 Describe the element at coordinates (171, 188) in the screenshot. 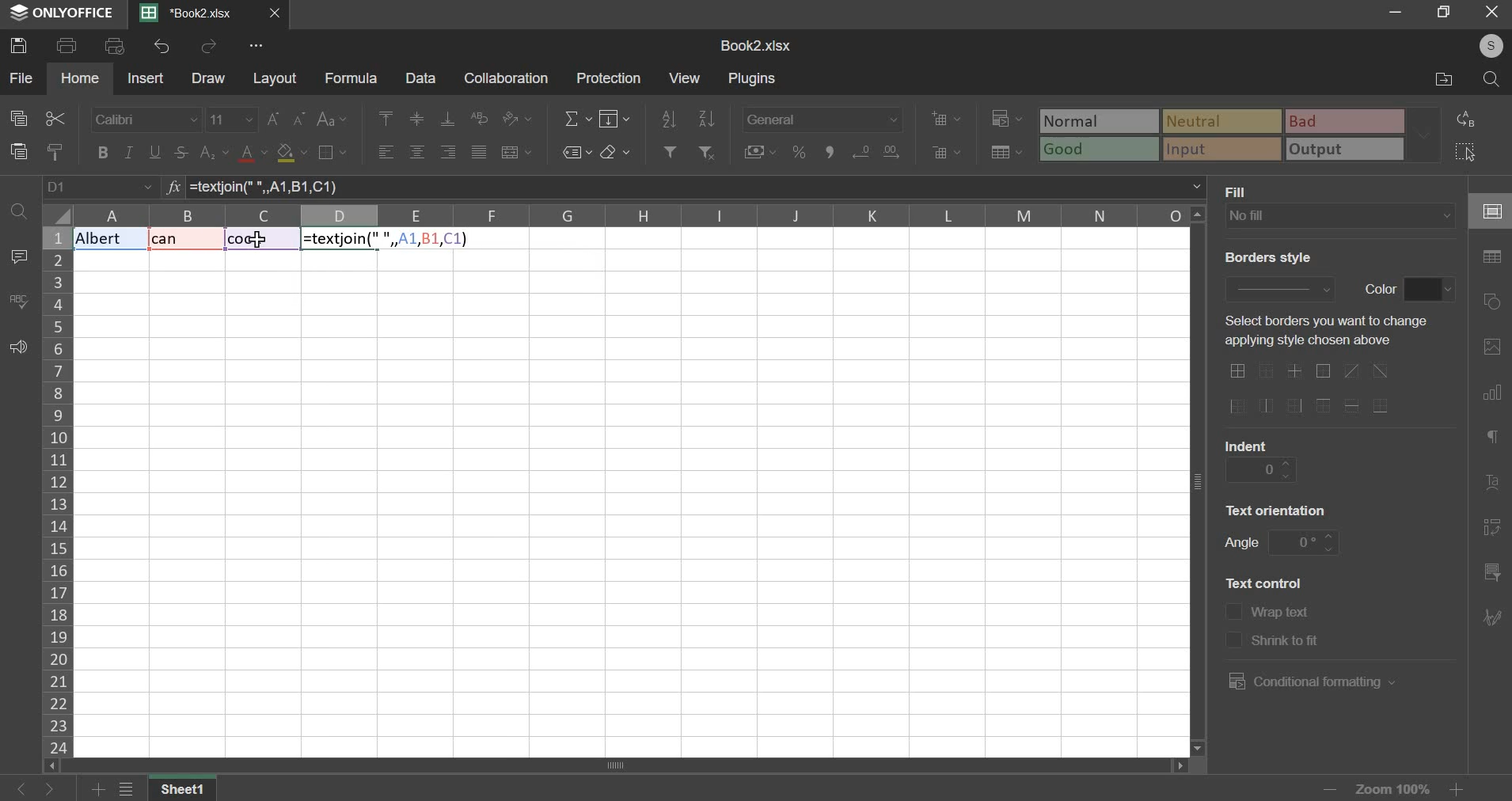

I see `formula` at that location.